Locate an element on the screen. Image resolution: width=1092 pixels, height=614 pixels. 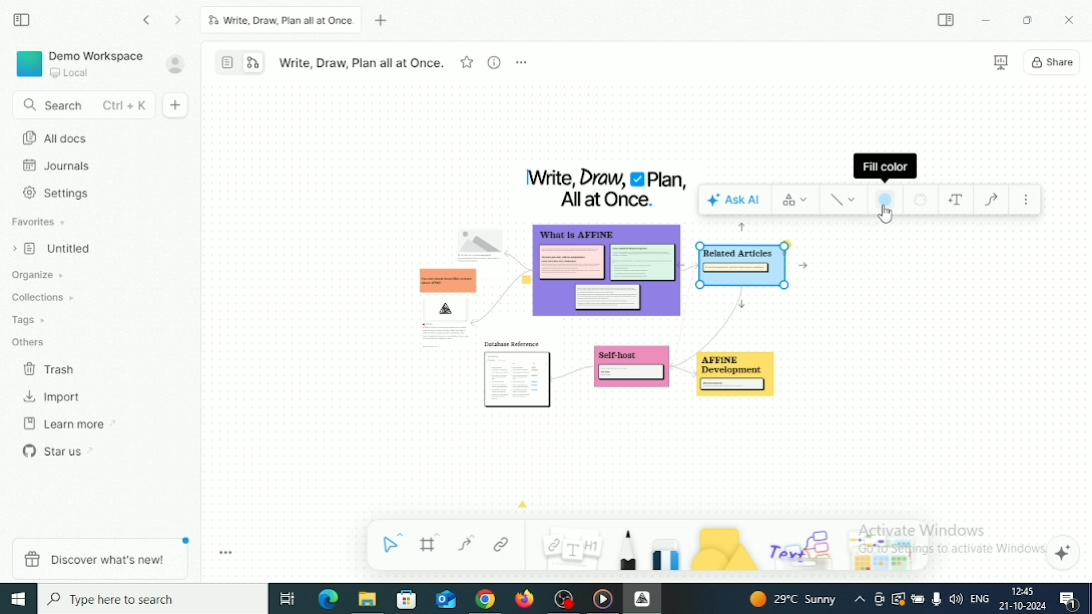
File Explorer is located at coordinates (367, 600).